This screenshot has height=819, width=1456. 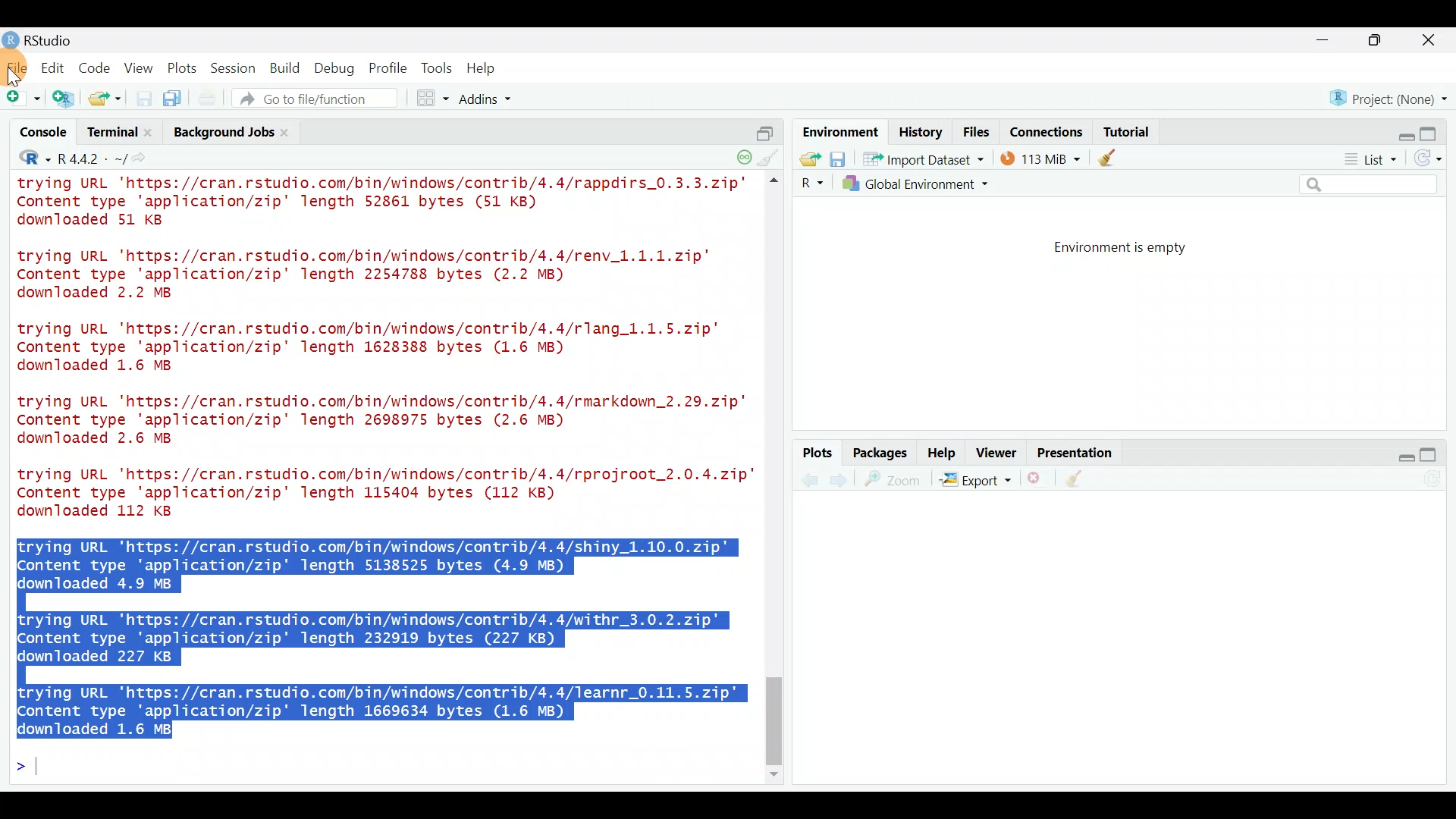 What do you see at coordinates (17, 73) in the screenshot?
I see `Cursor` at bounding box center [17, 73].